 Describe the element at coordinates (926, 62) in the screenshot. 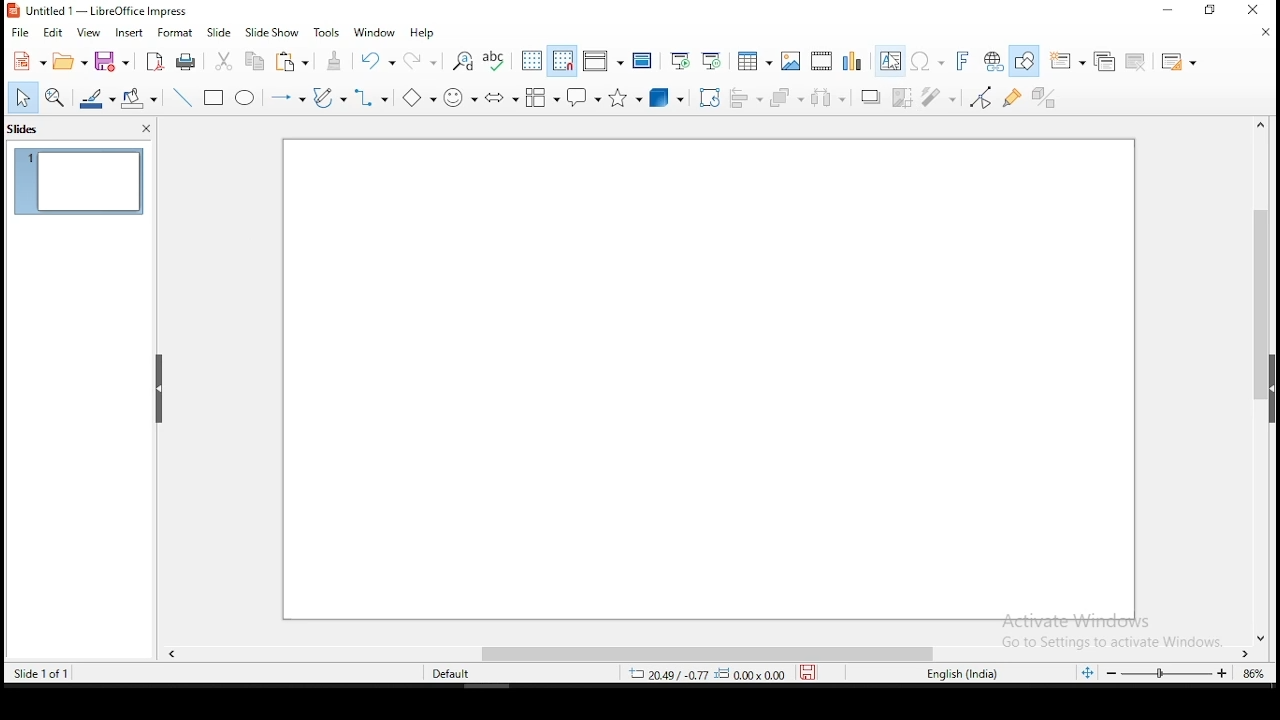

I see `insert special characters` at that location.